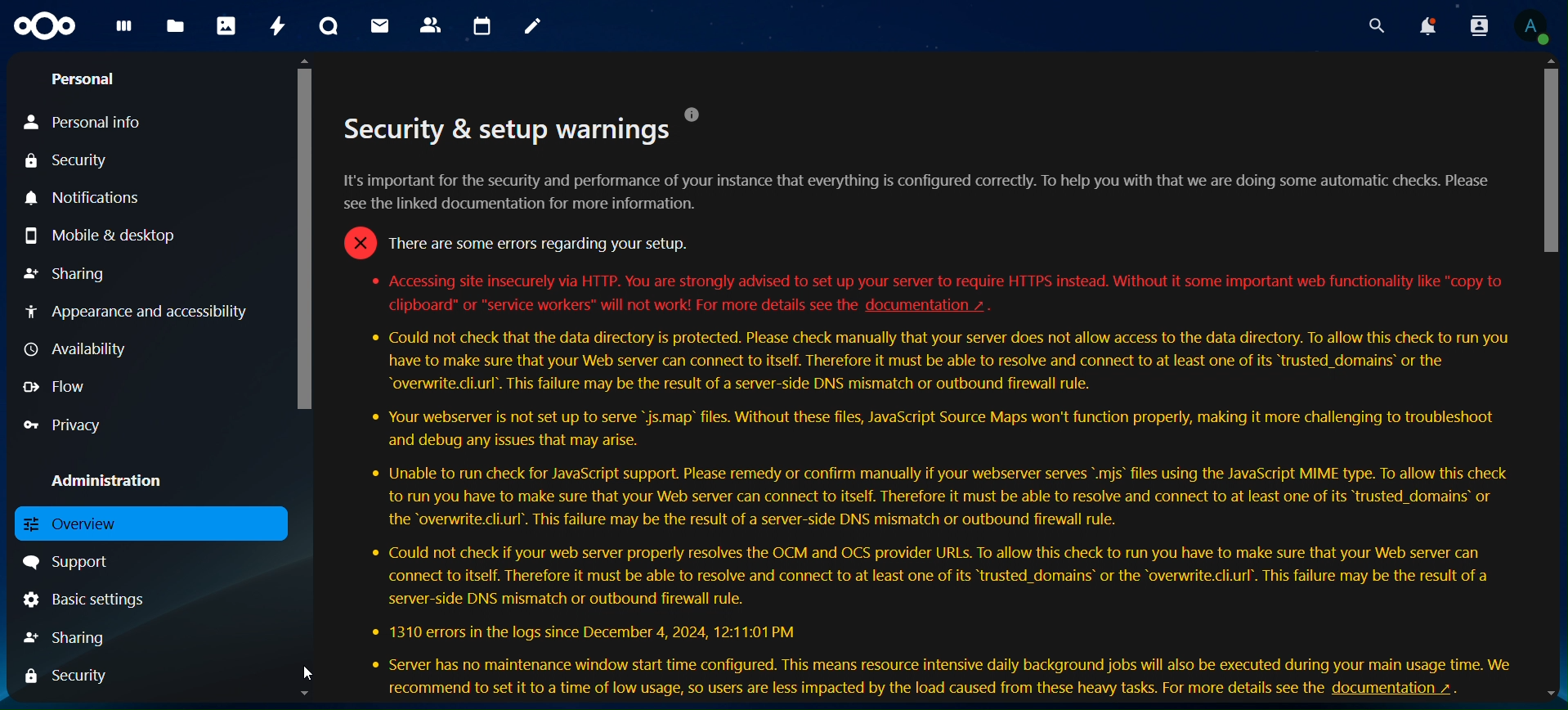 This screenshot has width=1568, height=710. What do you see at coordinates (70, 160) in the screenshot?
I see `security` at bounding box center [70, 160].